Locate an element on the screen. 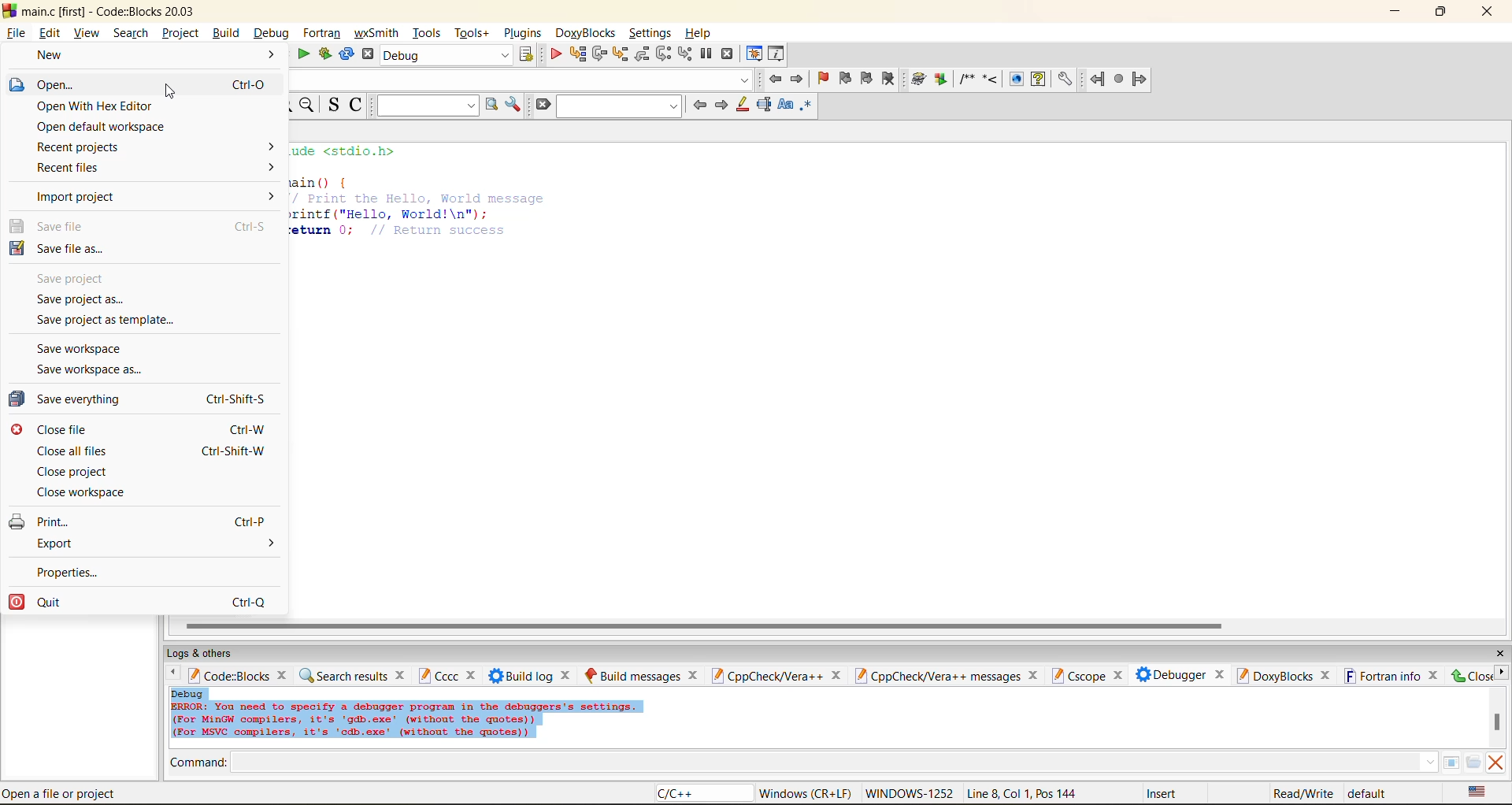 This screenshot has width=1512, height=805. previous bookmark is located at coordinates (845, 78).